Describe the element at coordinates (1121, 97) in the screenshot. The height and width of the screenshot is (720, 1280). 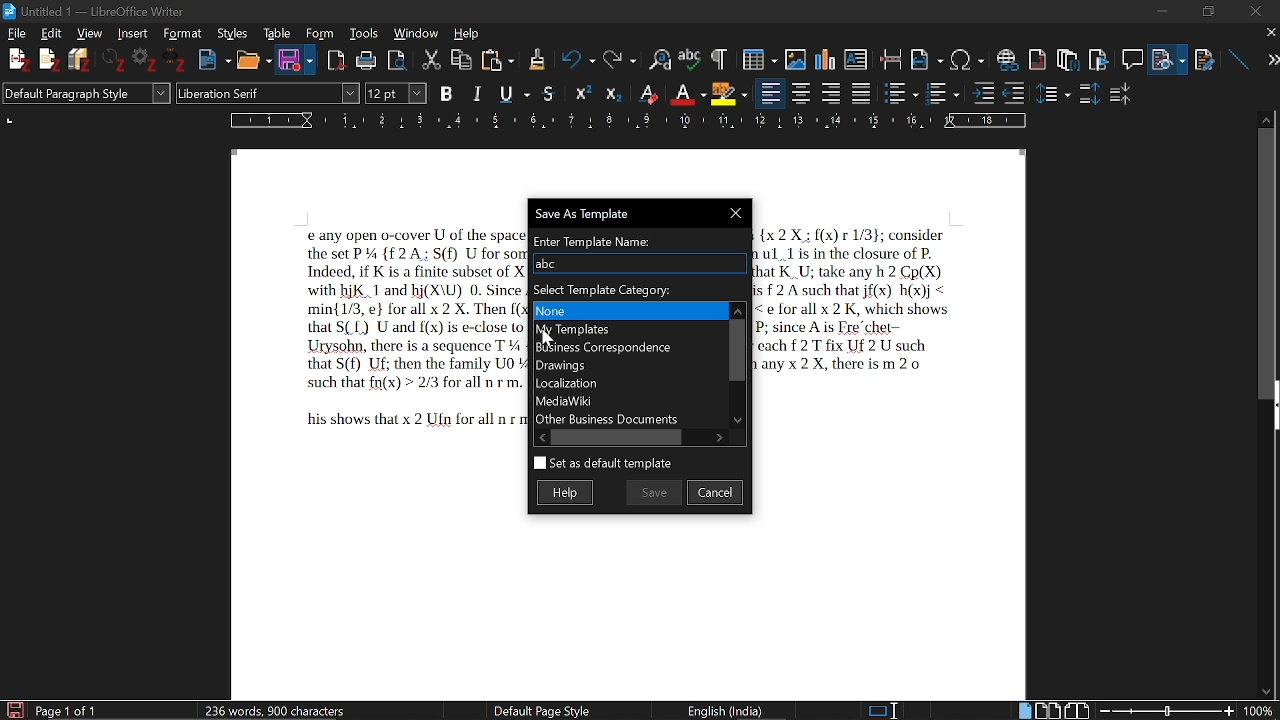
I see `decrease paragraph space` at that location.